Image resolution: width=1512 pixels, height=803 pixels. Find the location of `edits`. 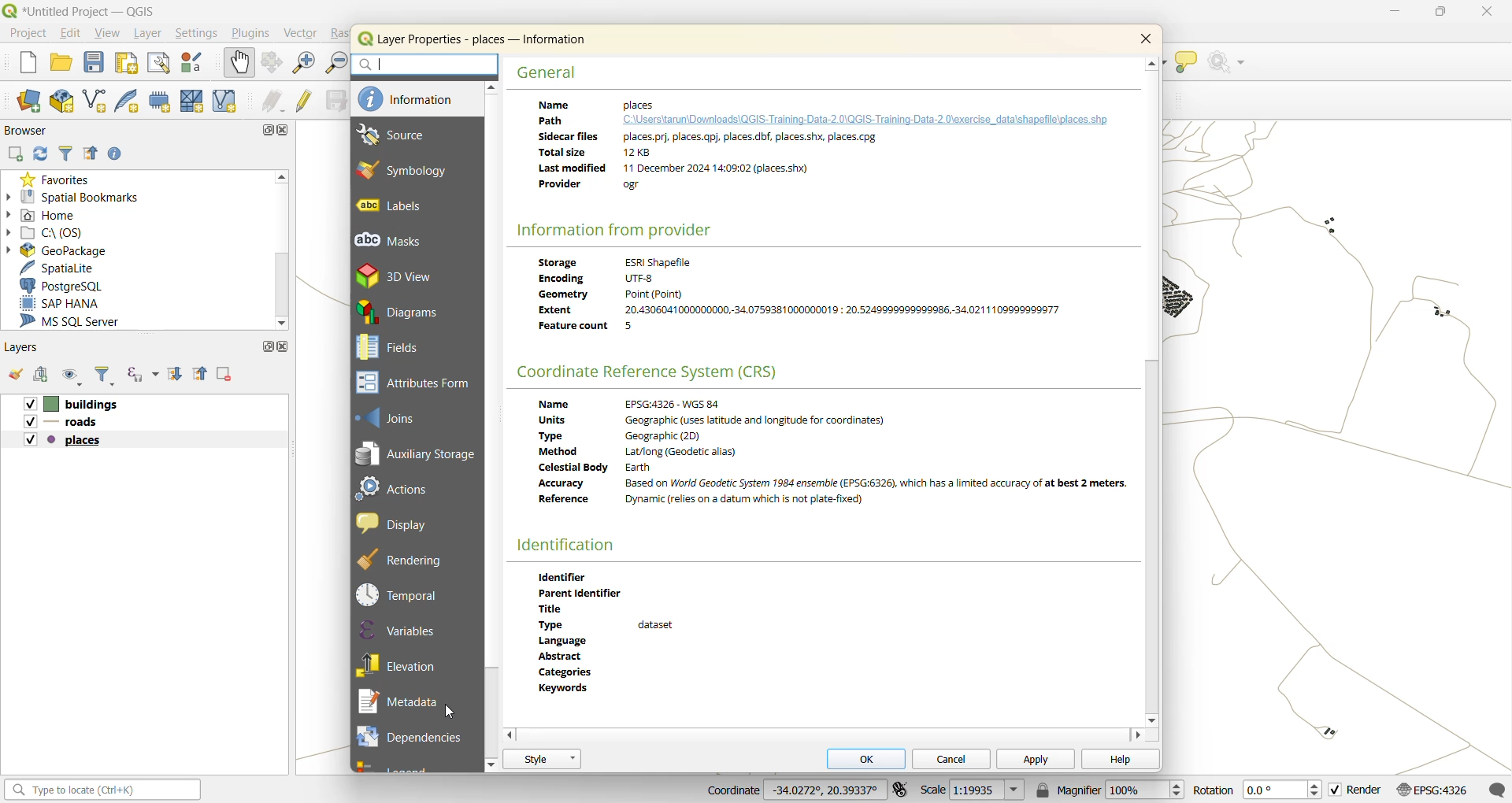

edits is located at coordinates (270, 102).